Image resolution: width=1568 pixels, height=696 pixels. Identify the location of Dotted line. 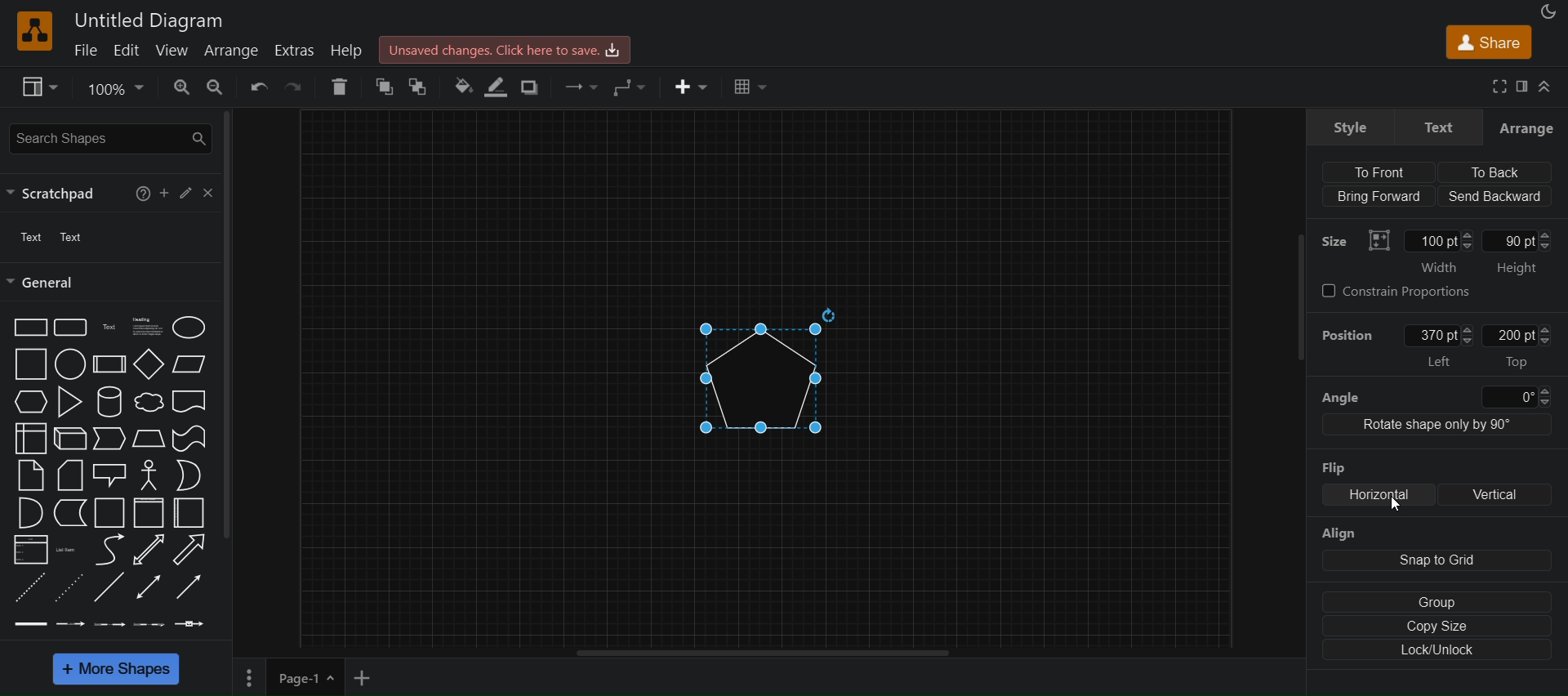
(69, 588).